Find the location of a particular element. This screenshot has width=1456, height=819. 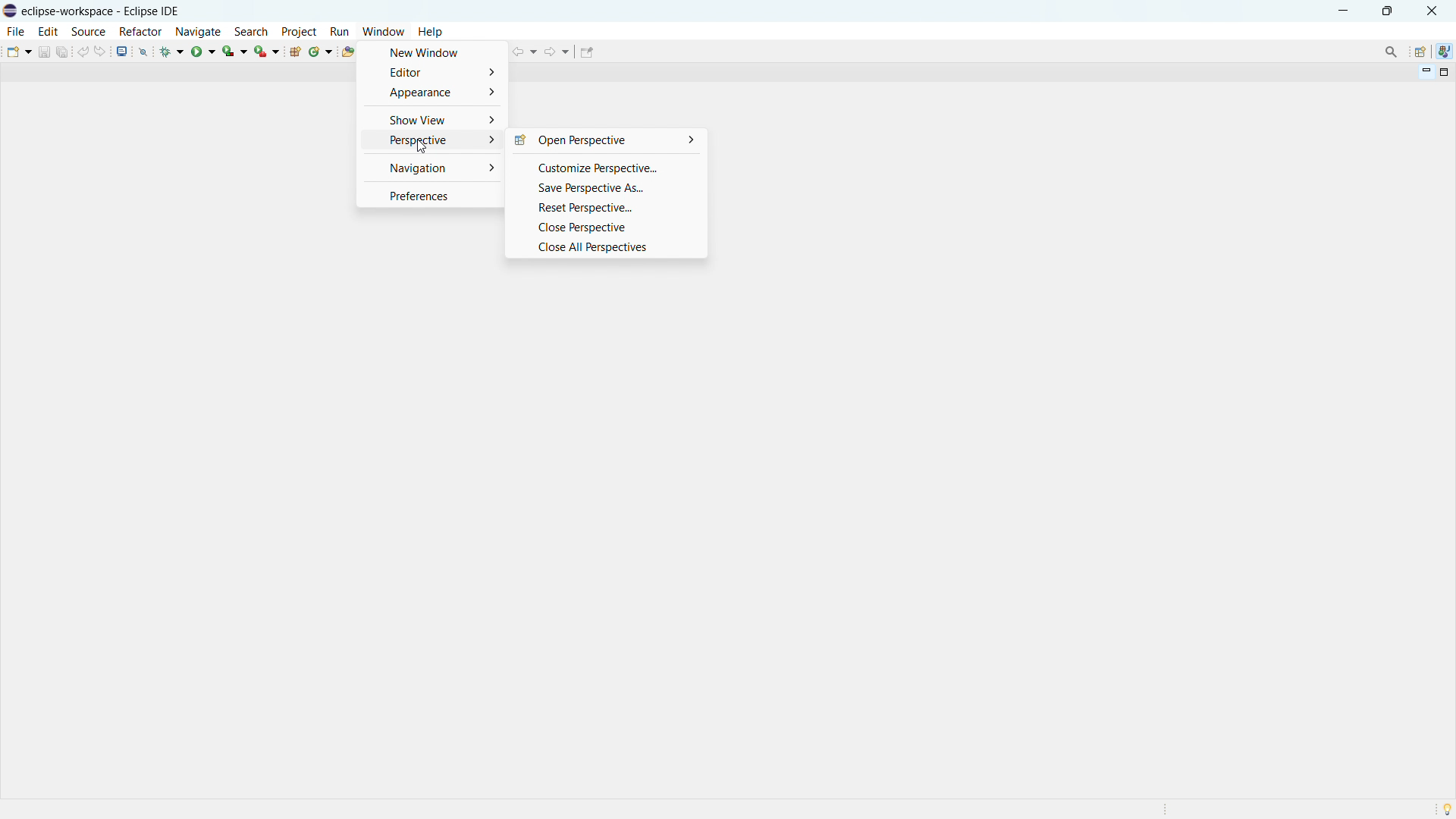

search is located at coordinates (251, 31).